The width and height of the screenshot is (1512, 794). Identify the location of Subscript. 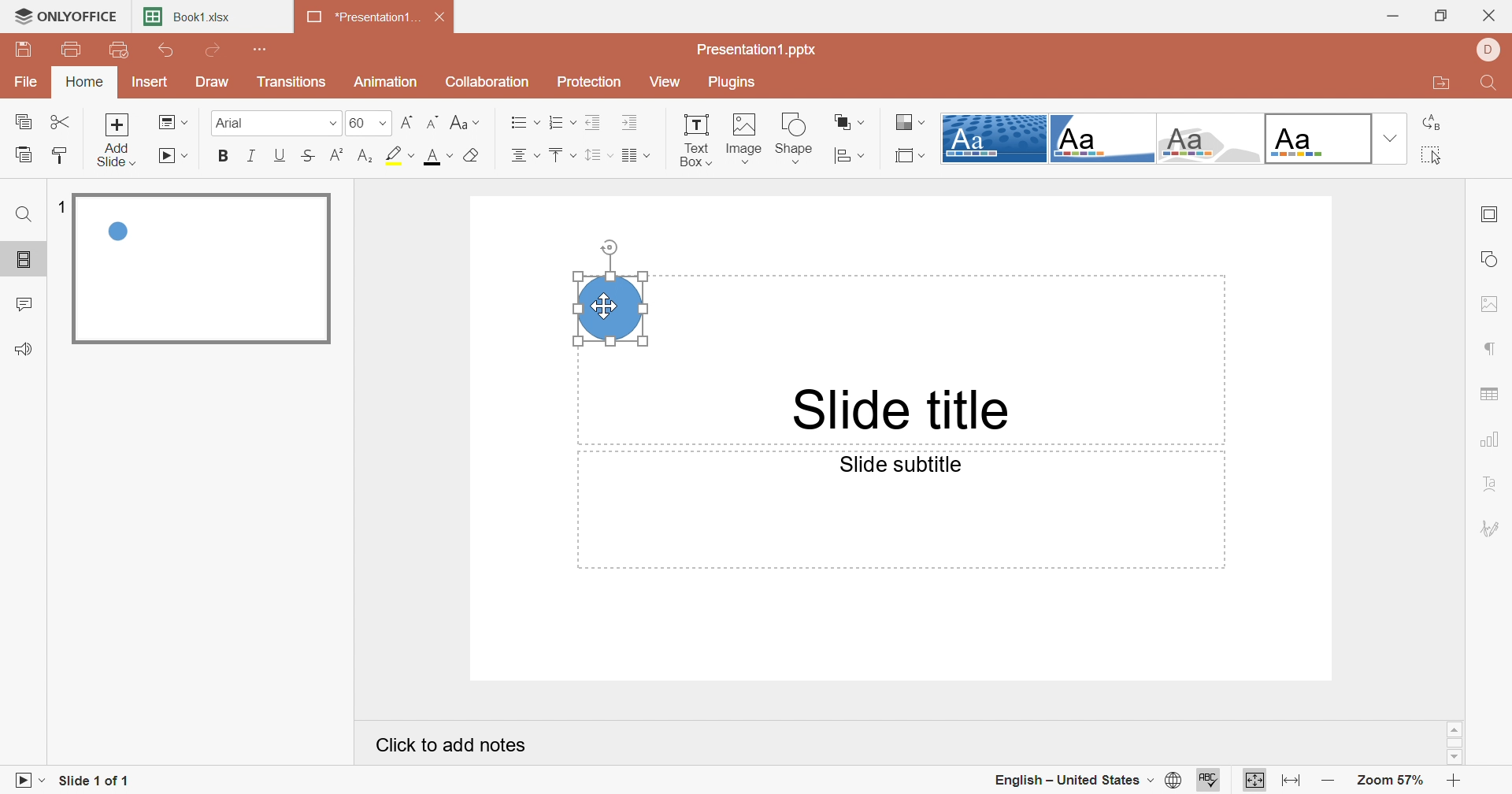
(369, 155).